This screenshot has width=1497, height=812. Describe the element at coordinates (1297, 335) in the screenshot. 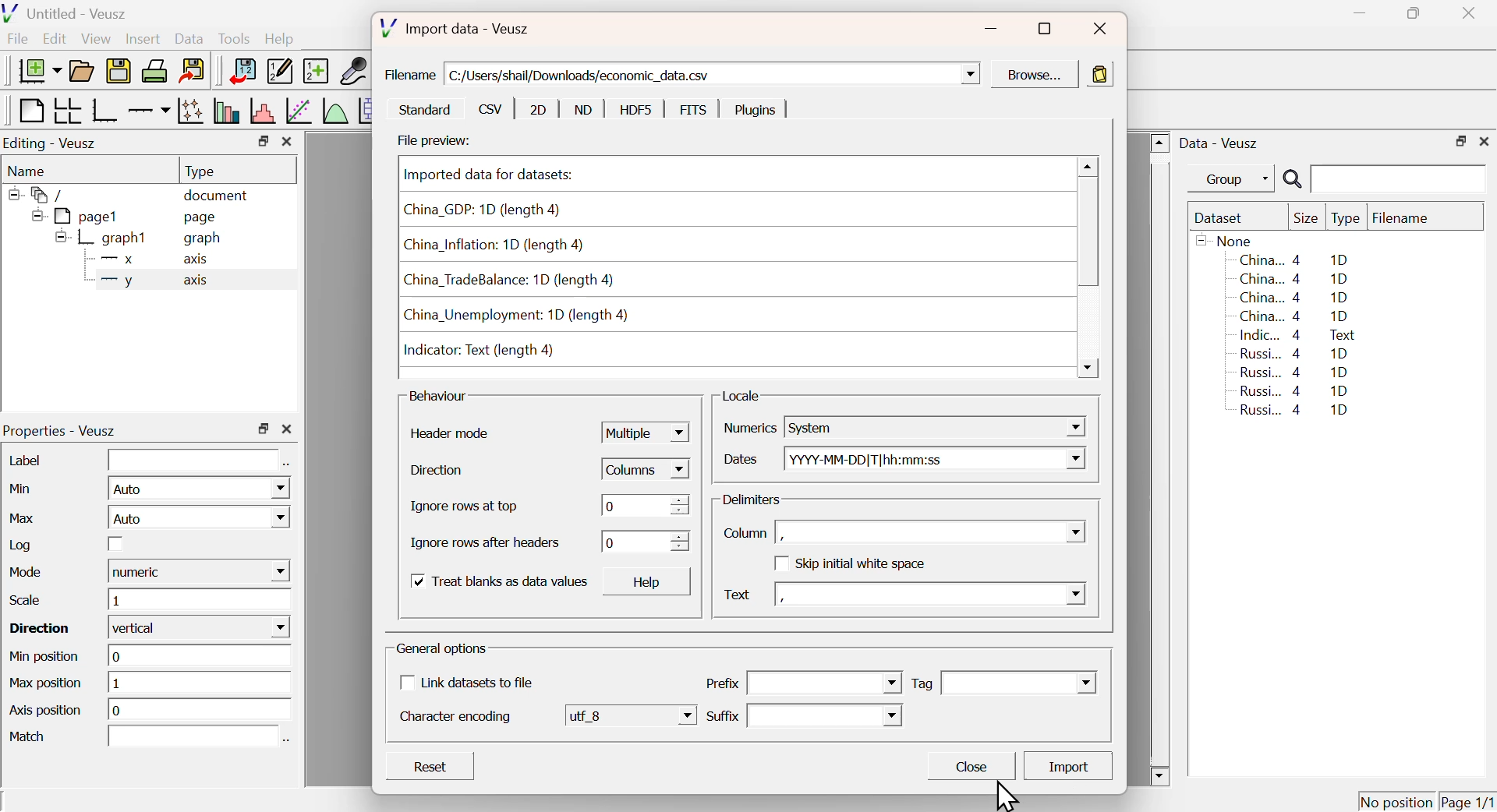

I see `Indic... 4 Text` at that location.